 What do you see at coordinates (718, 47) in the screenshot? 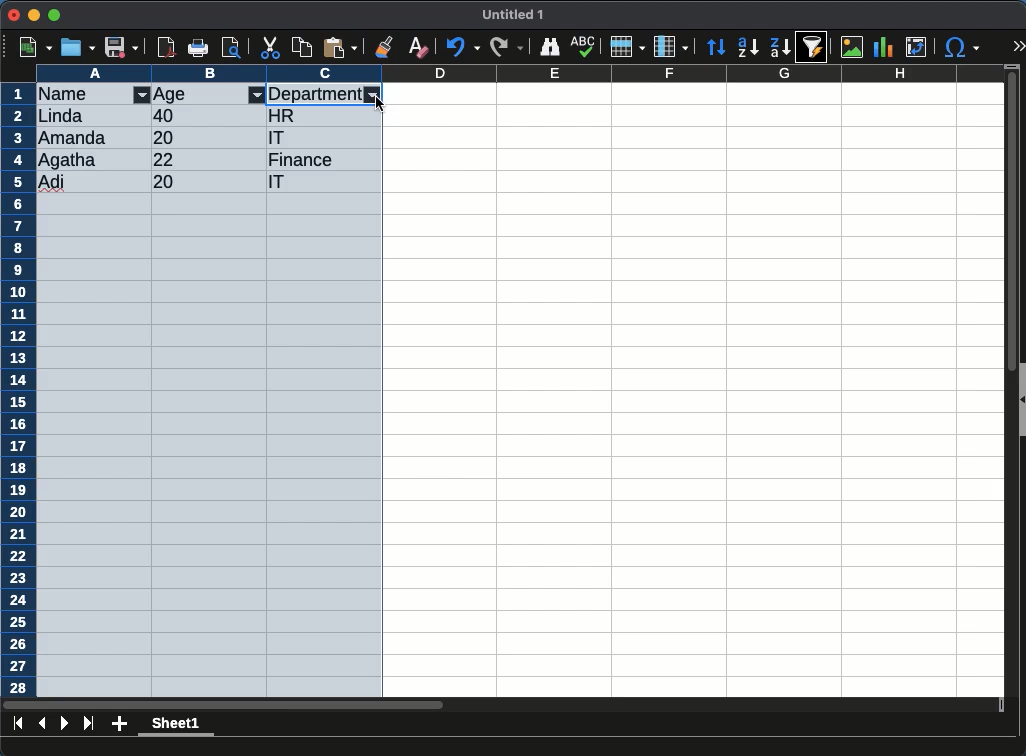
I see `sort` at bounding box center [718, 47].